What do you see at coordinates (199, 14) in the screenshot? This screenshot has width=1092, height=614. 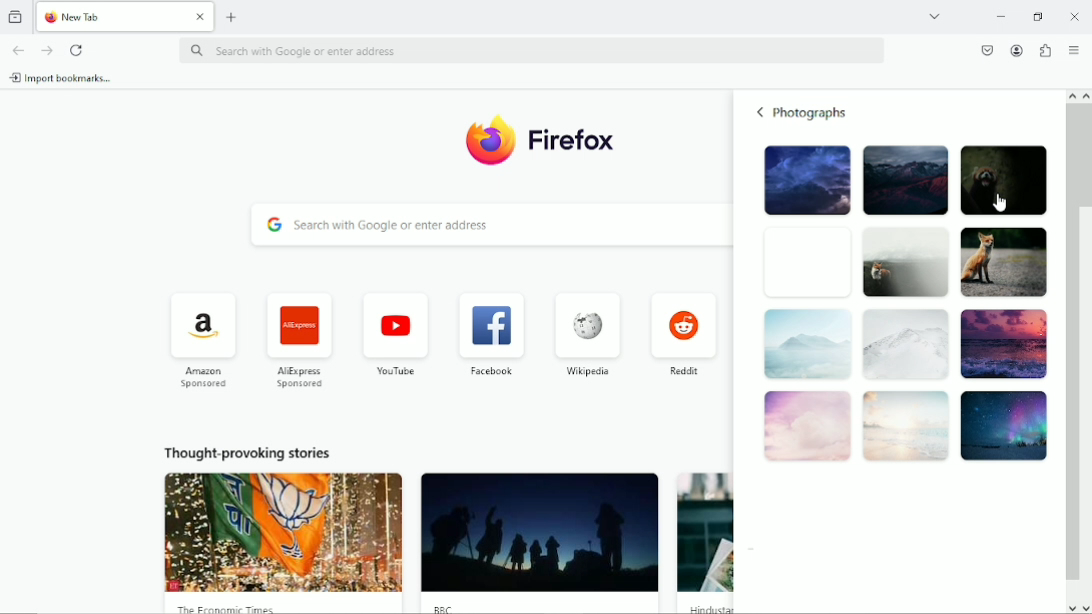 I see `close` at bounding box center [199, 14].